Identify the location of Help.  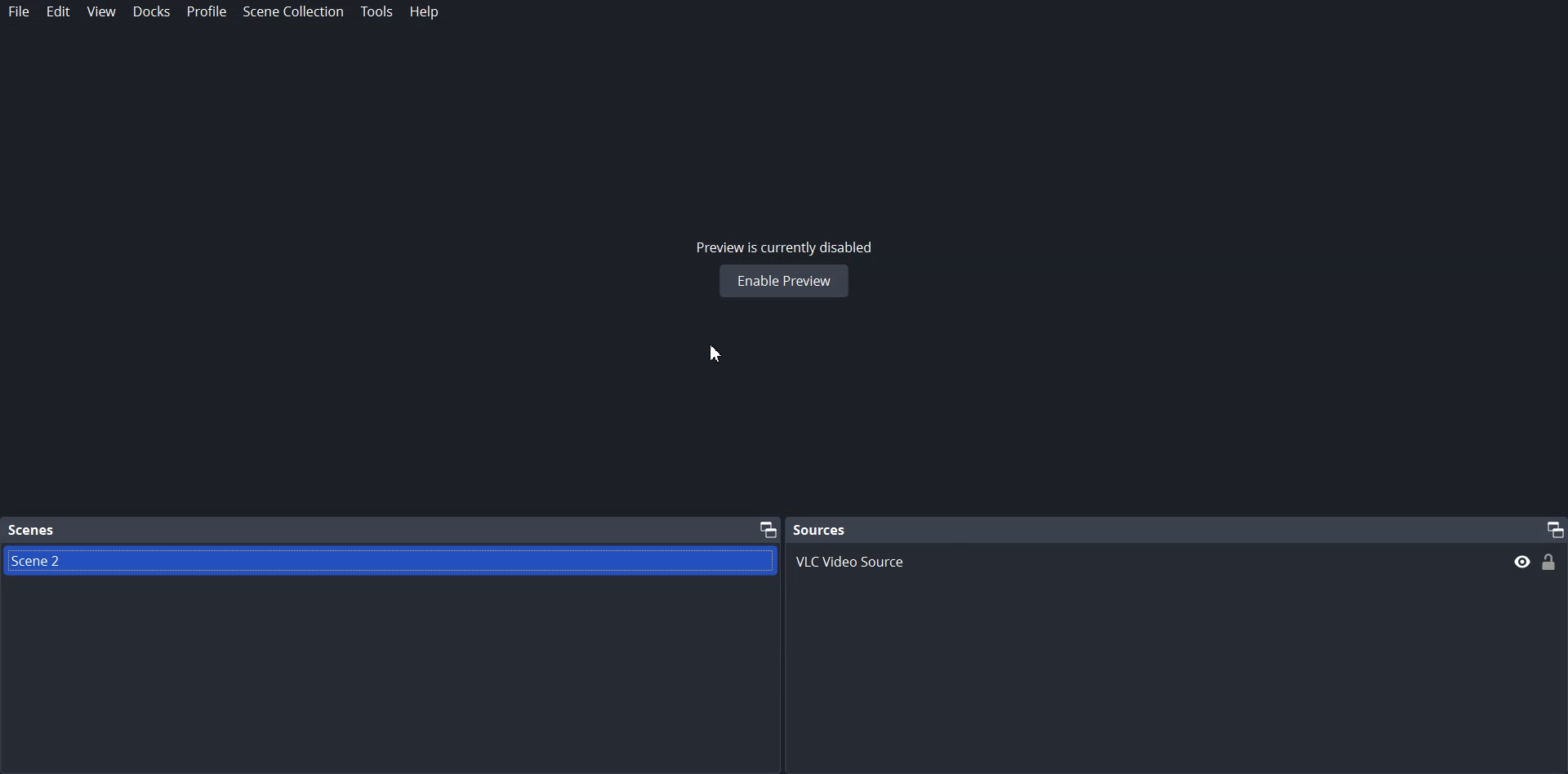
(424, 13).